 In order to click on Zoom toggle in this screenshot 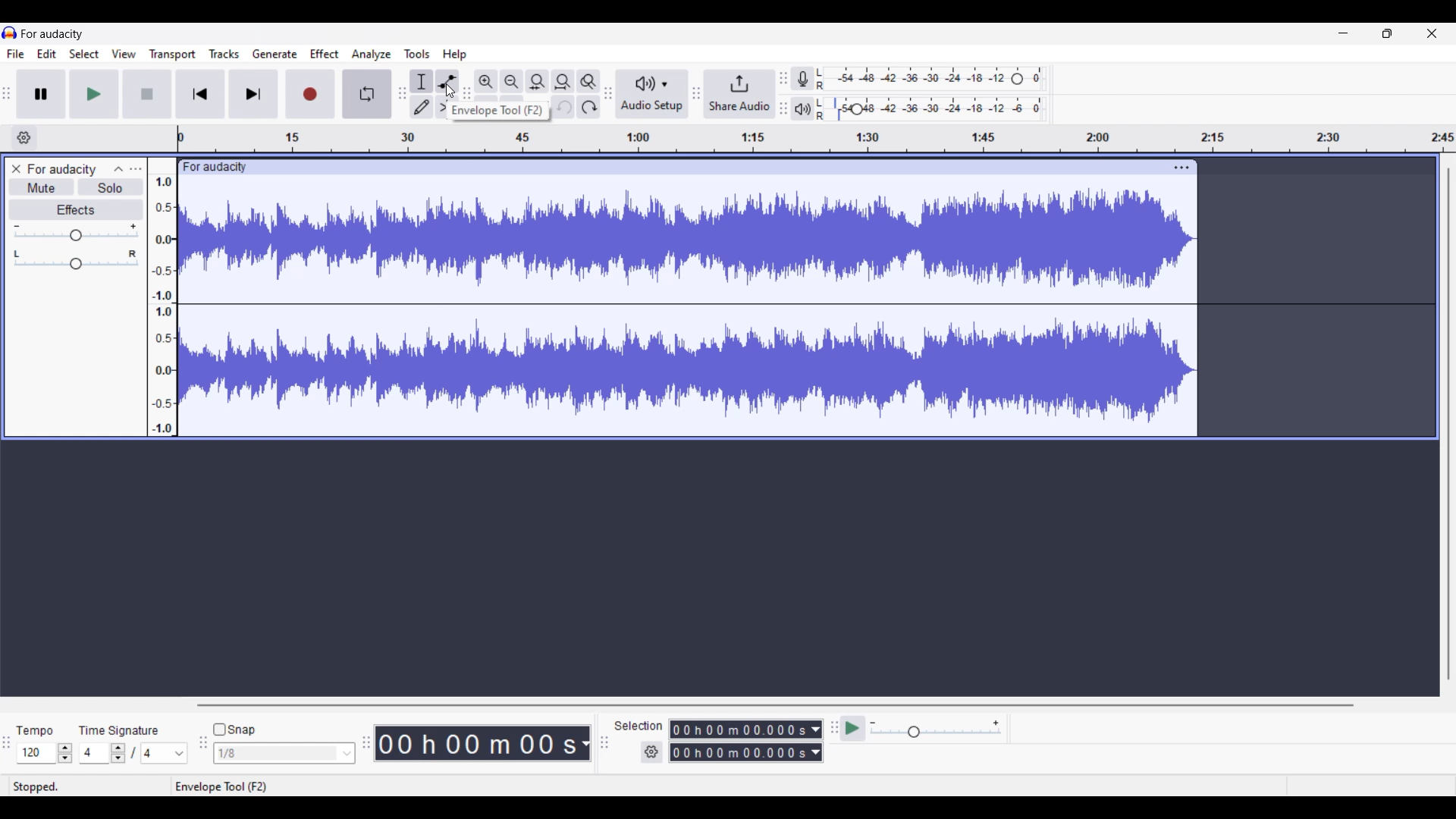, I will do `click(588, 81)`.